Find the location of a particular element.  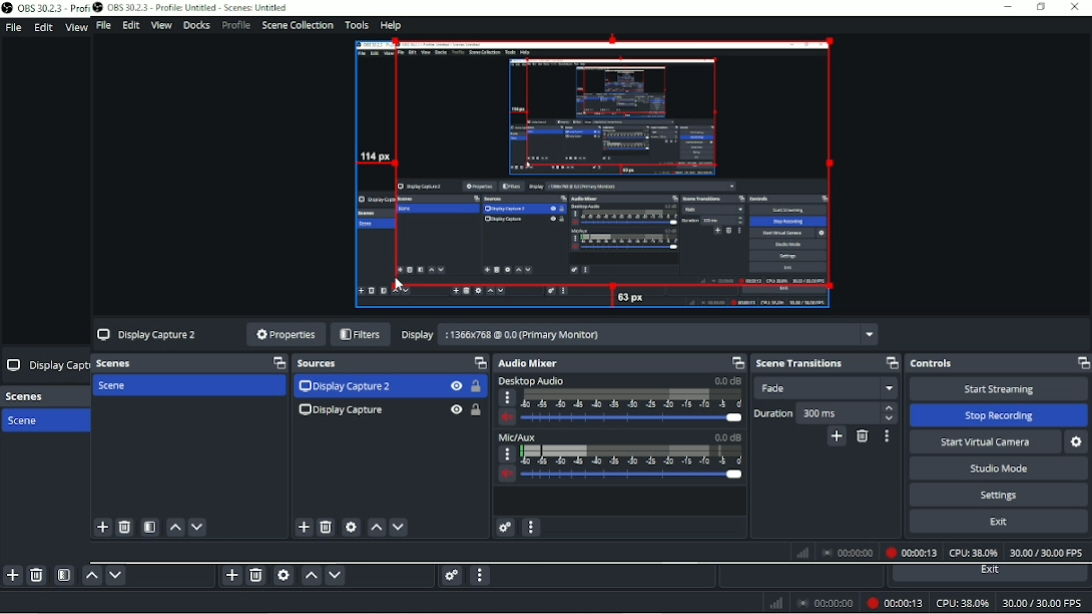

Move source(s) up is located at coordinates (311, 577).